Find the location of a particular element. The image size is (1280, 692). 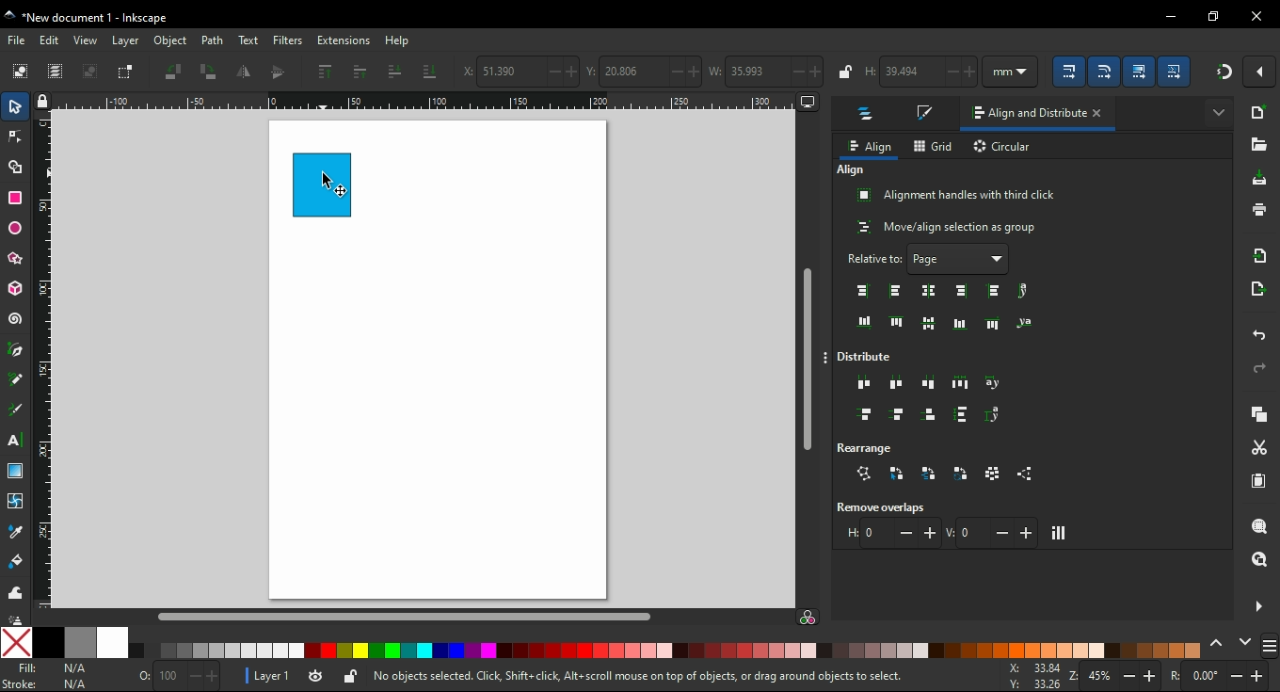

selected object unlocked is located at coordinates (351, 676).